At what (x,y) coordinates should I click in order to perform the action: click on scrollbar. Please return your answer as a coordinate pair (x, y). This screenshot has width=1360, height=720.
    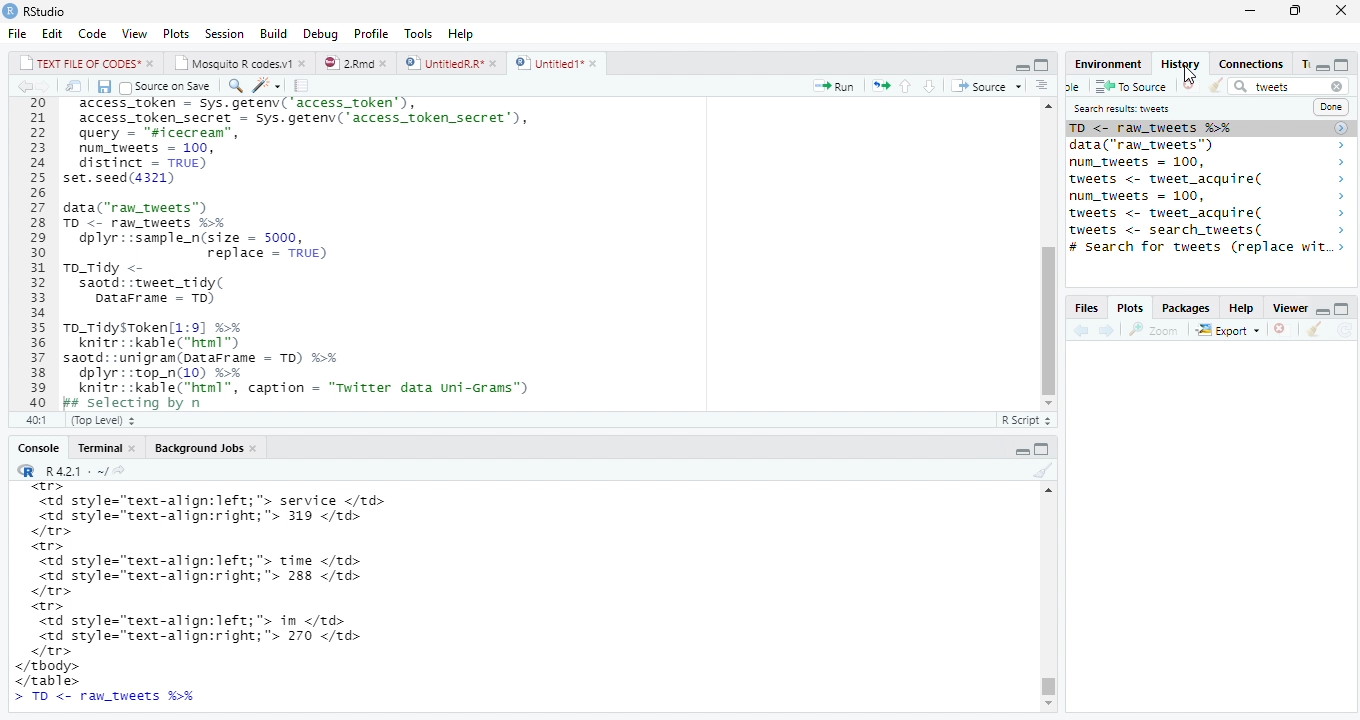
    Looking at the image, I should click on (1047, 250).